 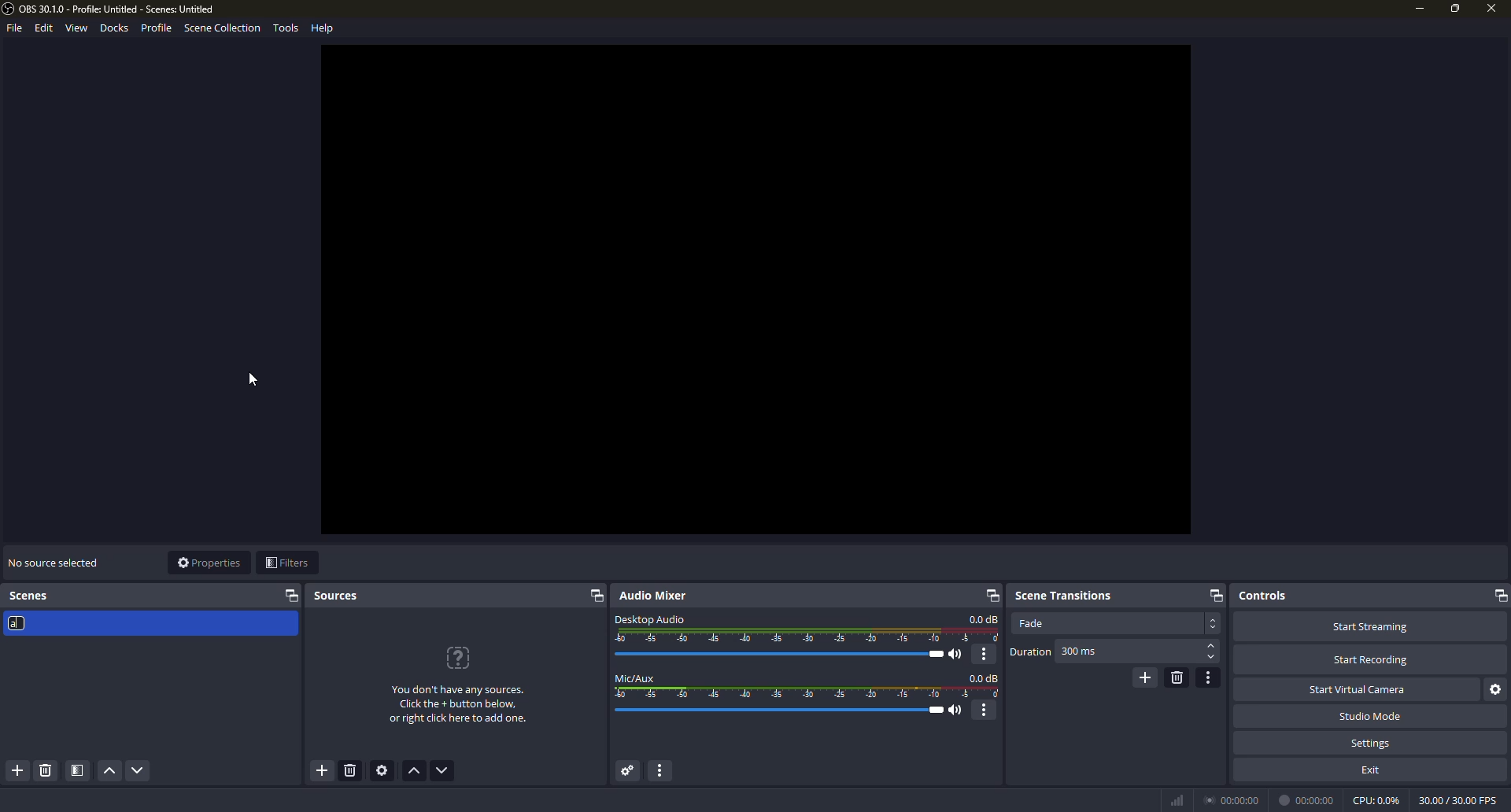 I want to click on mic/aux, so click(x=636, y=677).